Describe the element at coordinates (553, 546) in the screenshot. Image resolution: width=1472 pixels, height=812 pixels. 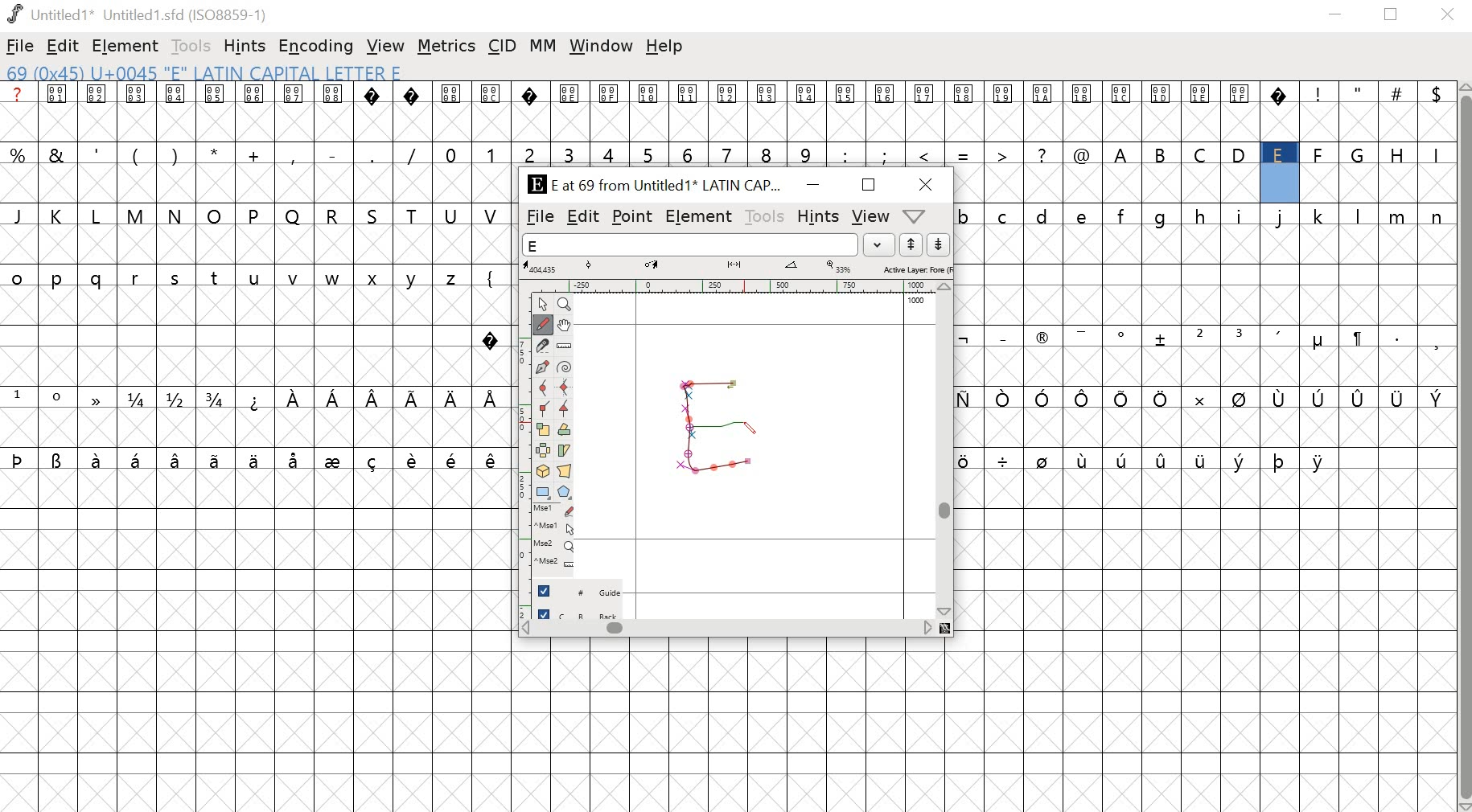
I see `Mouse wheel button` at that location.